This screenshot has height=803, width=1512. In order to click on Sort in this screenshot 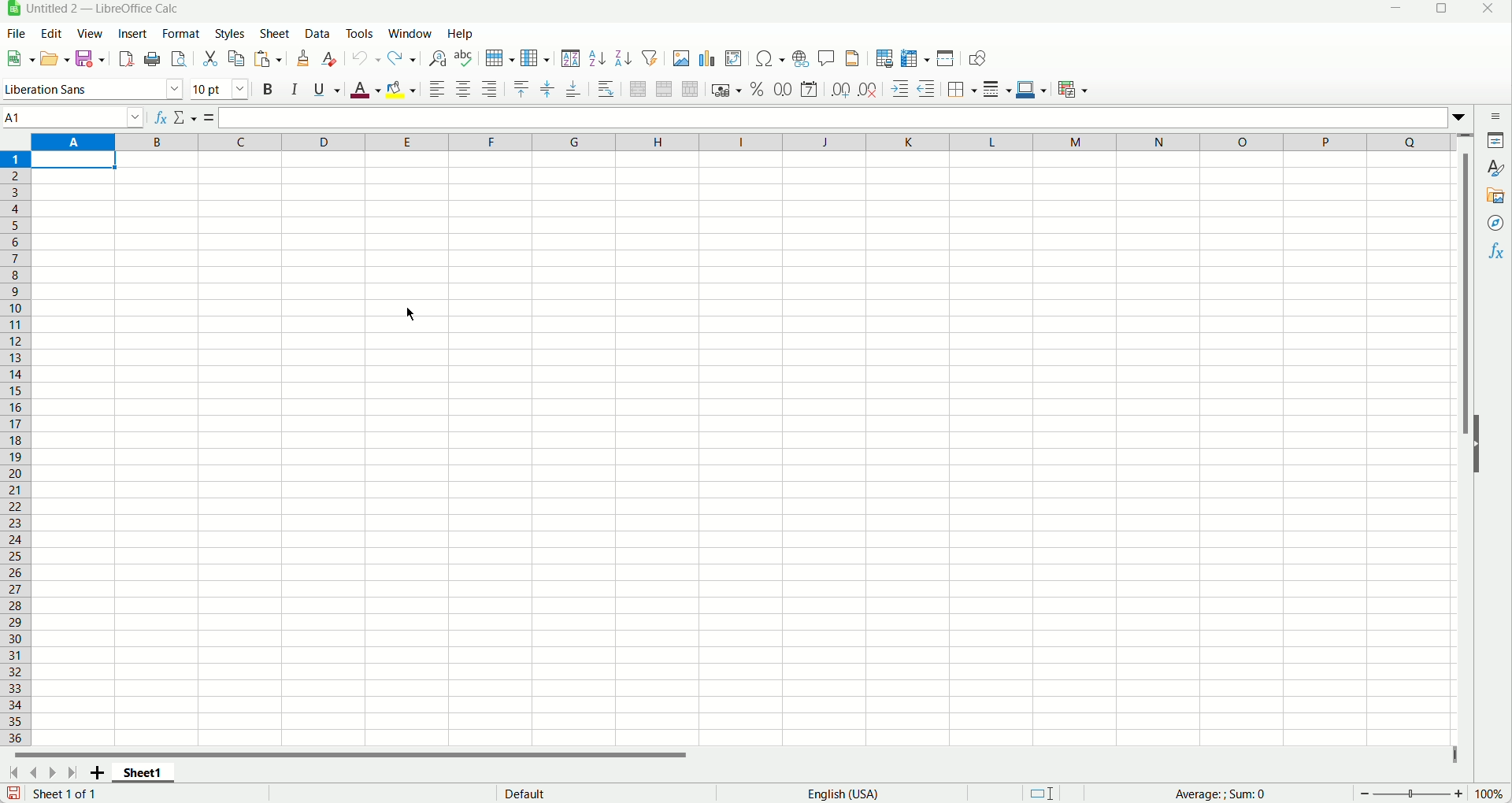, I will do `click(571, 57)`.